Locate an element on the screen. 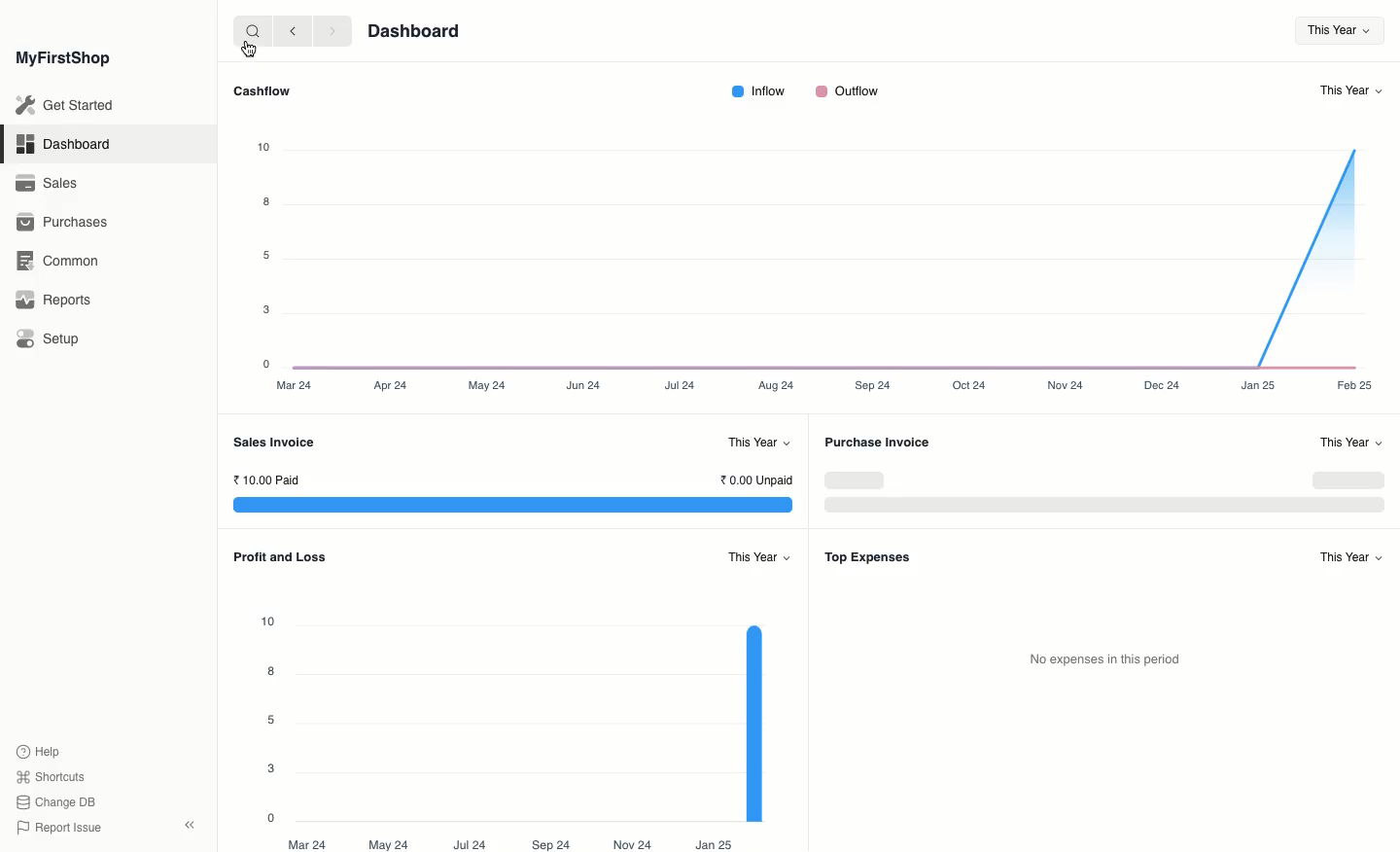  Sales Invoice is located at coordinates (274, 443).